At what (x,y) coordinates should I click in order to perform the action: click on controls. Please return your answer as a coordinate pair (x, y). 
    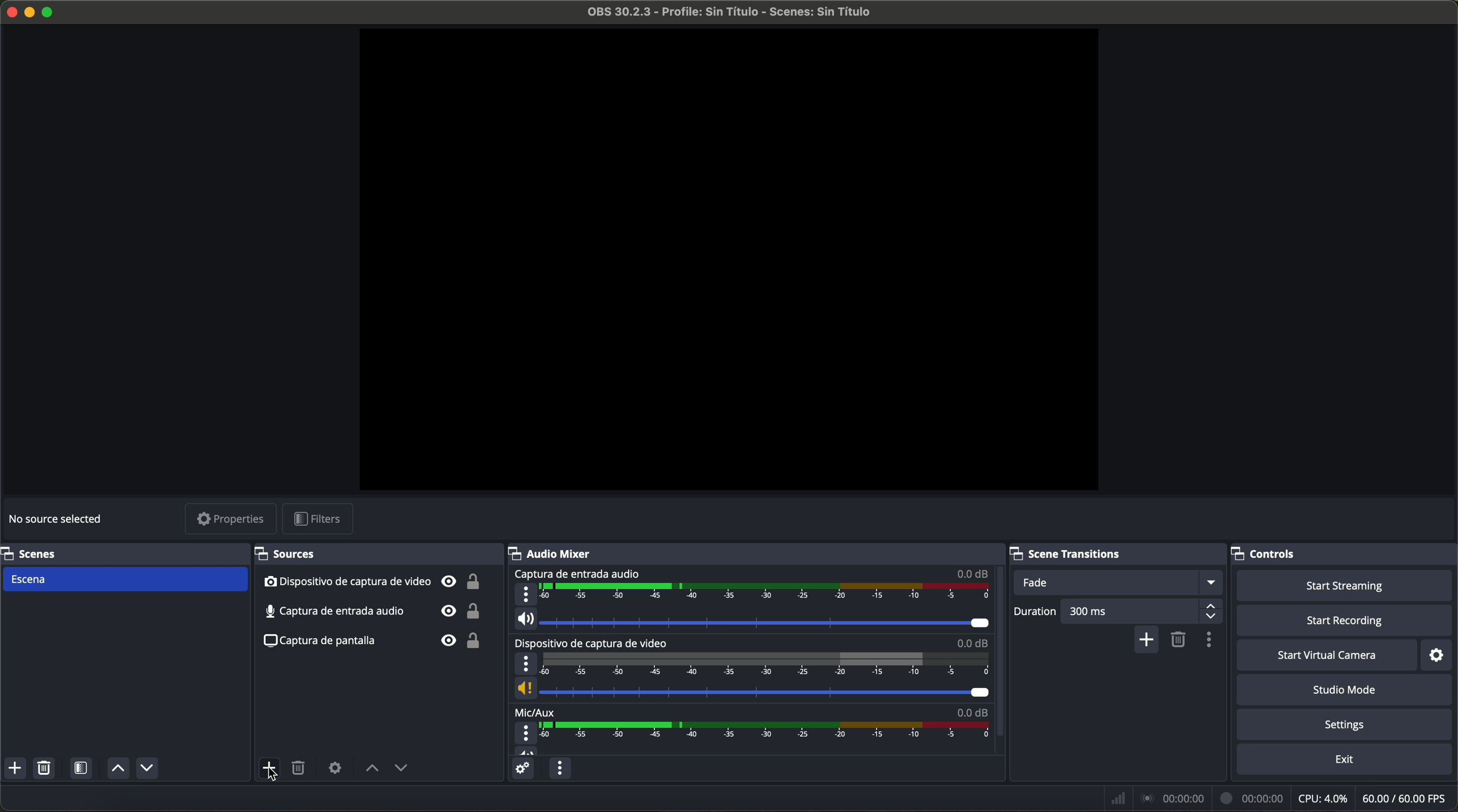
    Looking at the image, I should click on (1274, 551).